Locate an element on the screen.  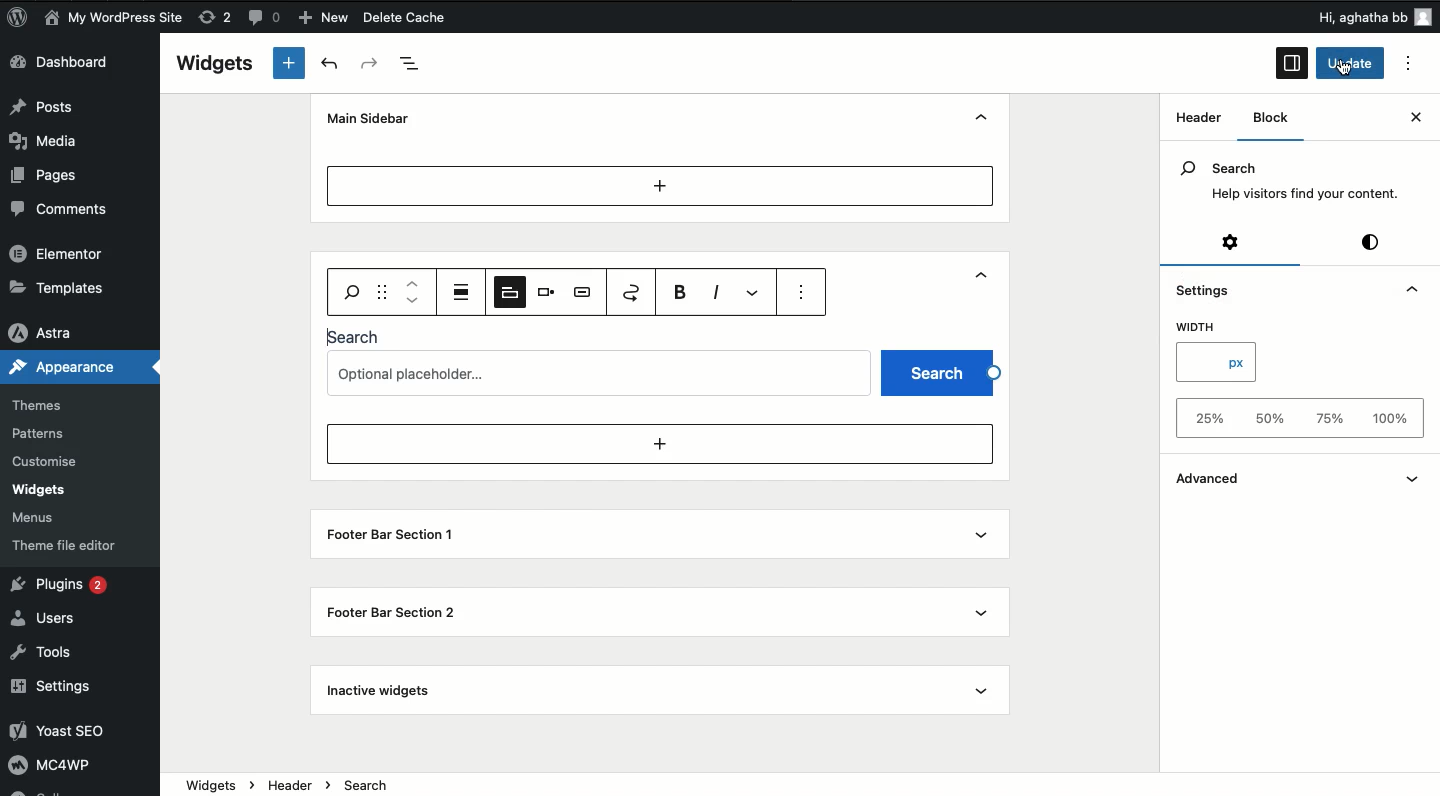
Italics is located at coordinates (716, 290).